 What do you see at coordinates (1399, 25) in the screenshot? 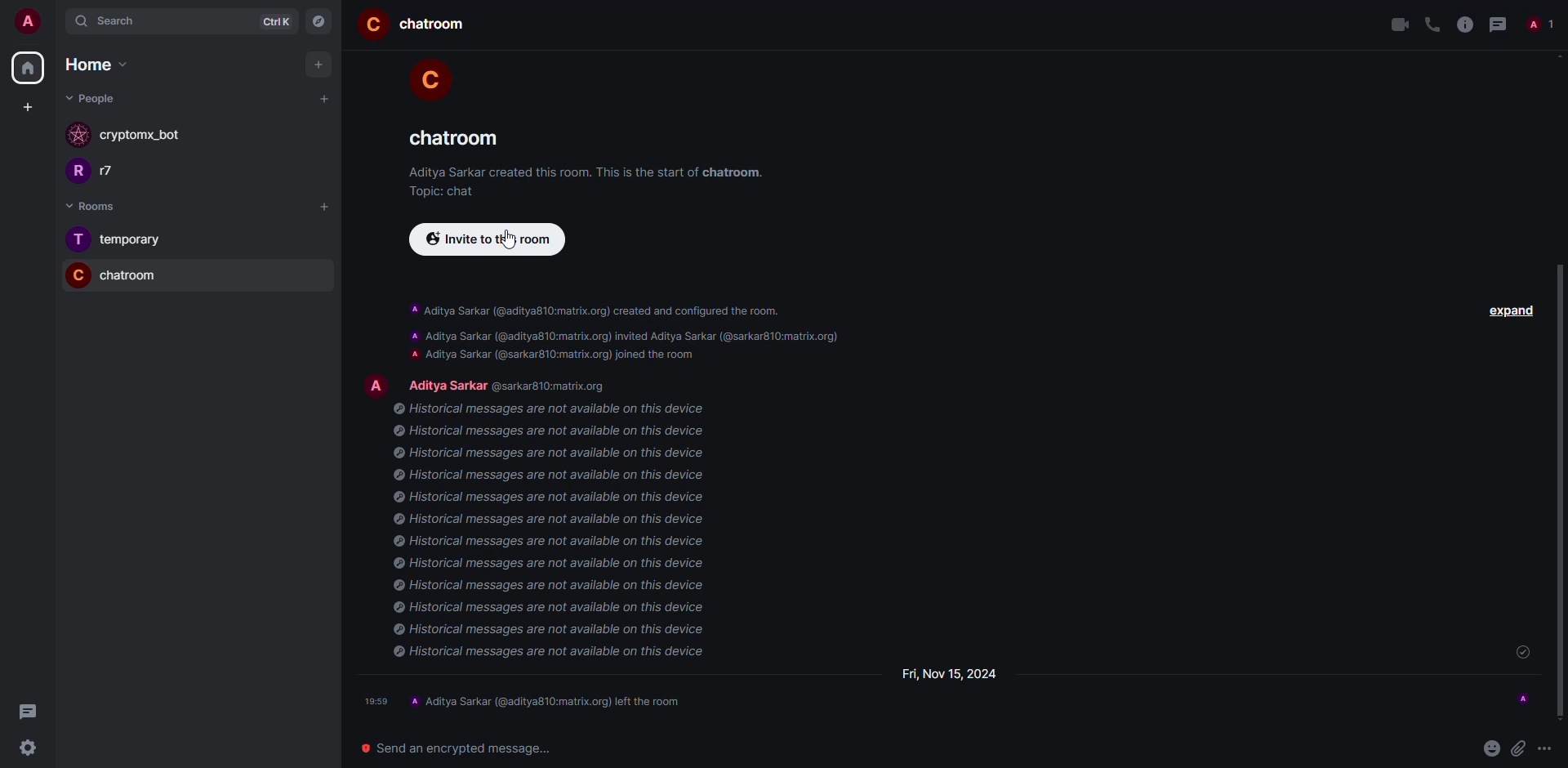
I see `video call` at bounding box center [1399, 25].